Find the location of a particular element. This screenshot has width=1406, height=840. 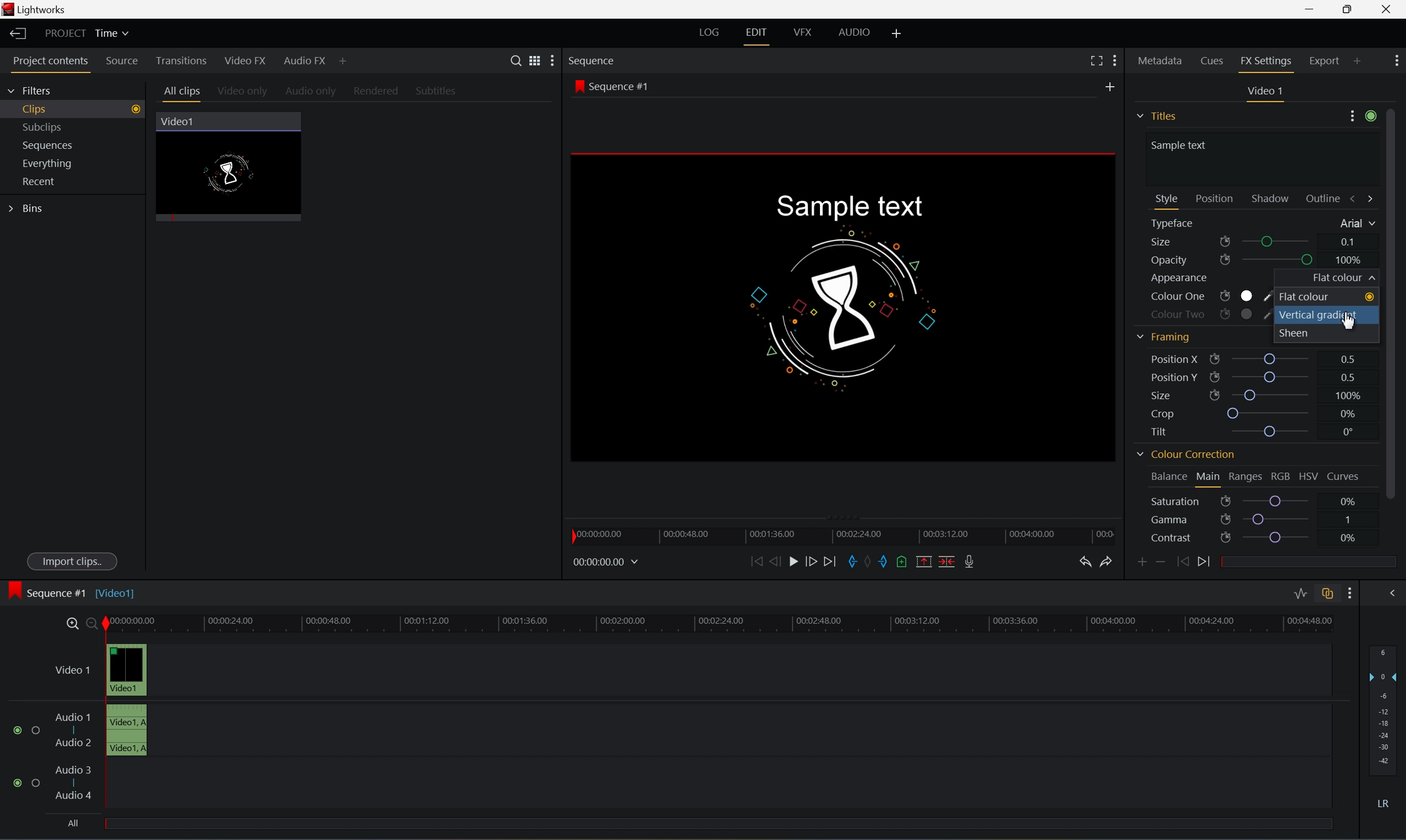

checkbox is located at coordinates (38, 785).